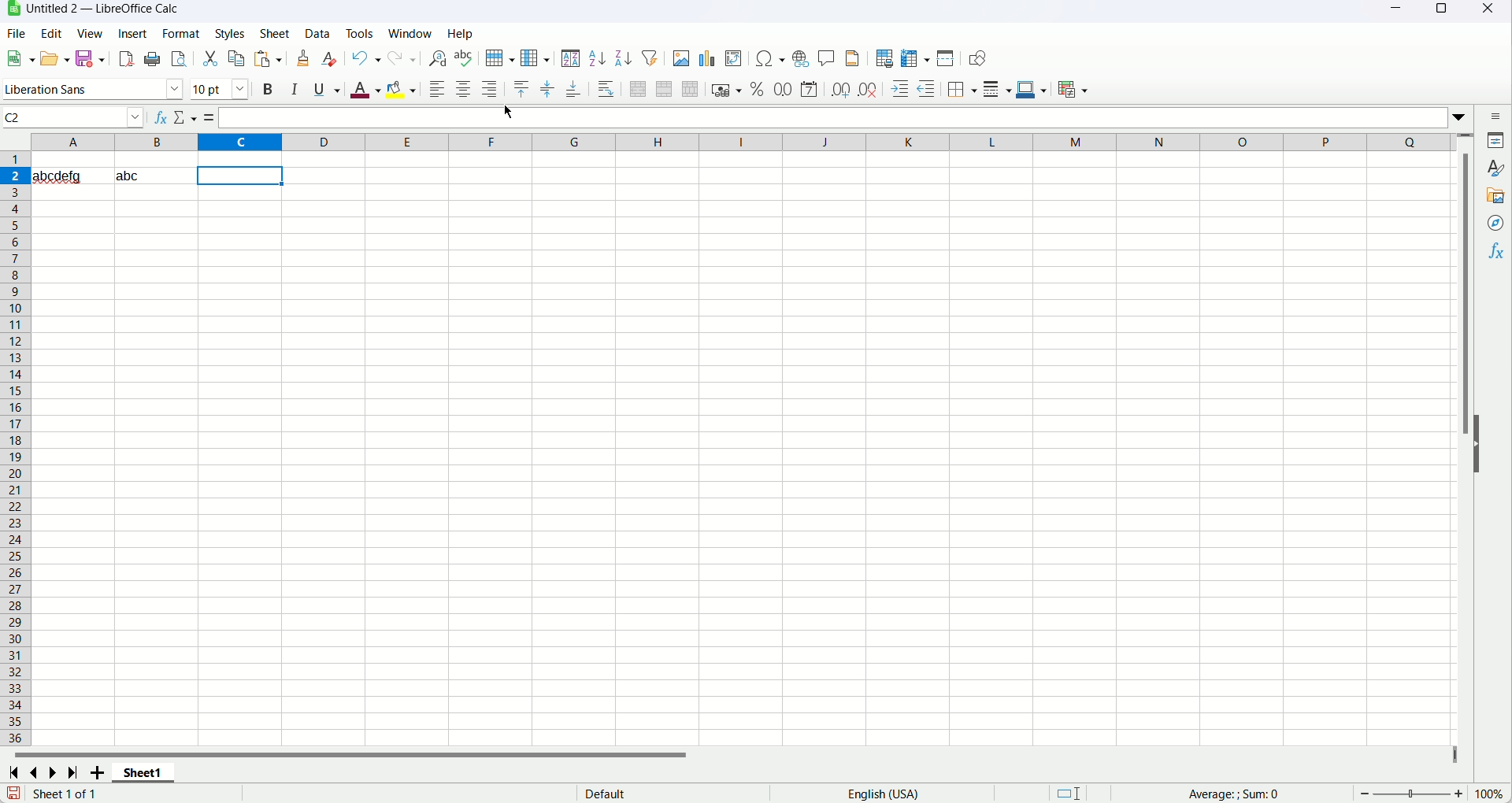  What do you see at coordinates (402, 59) in the screenshot?
I see `redo` at bounding box center [402, 59].